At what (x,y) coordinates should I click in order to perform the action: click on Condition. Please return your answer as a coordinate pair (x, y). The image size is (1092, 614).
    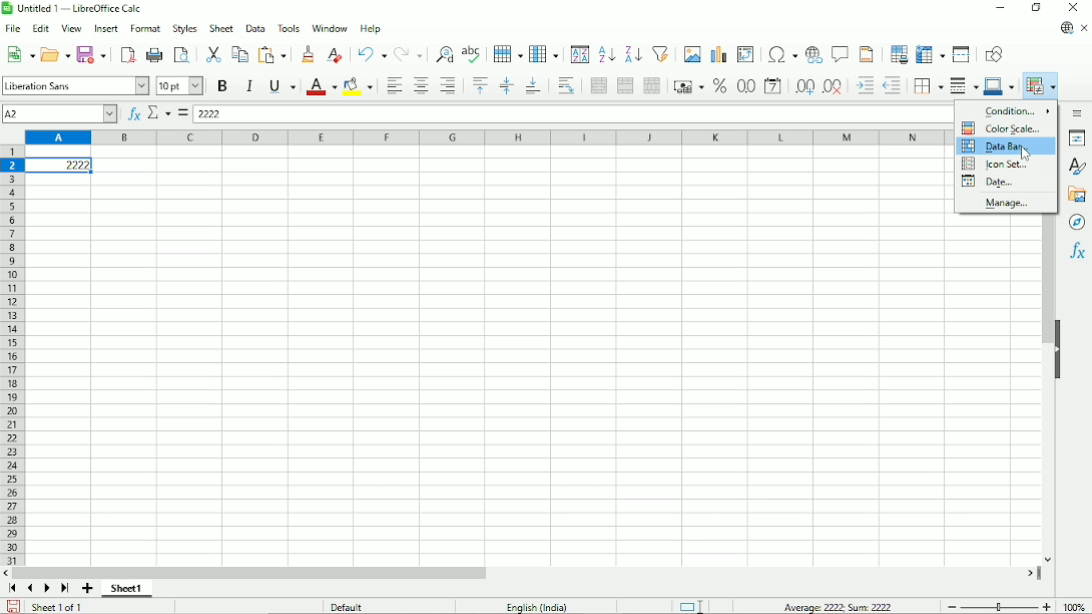
    Looking at the image, I should click on (1018, 111).